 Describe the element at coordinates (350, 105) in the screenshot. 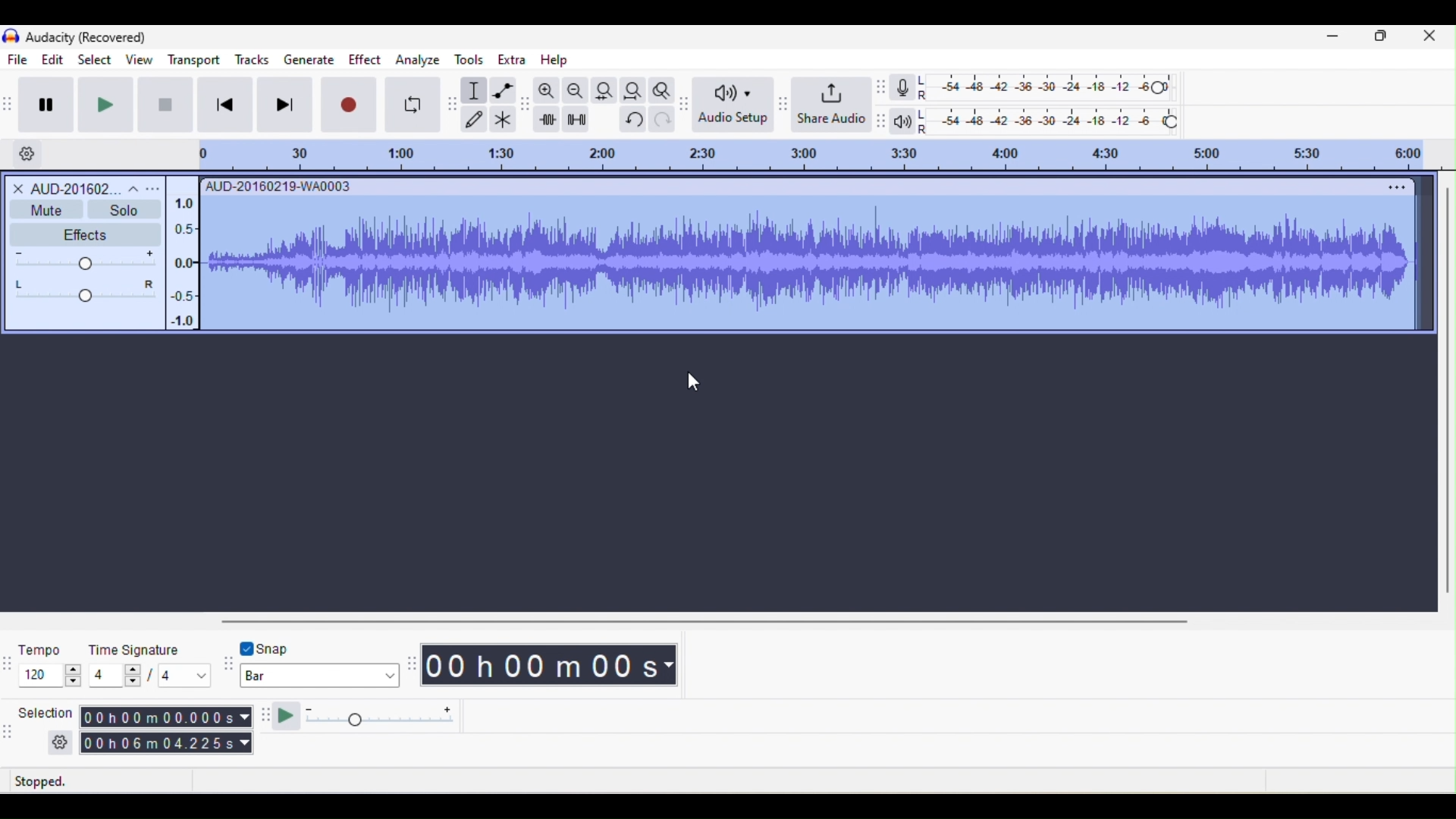

I see `record` at that location.